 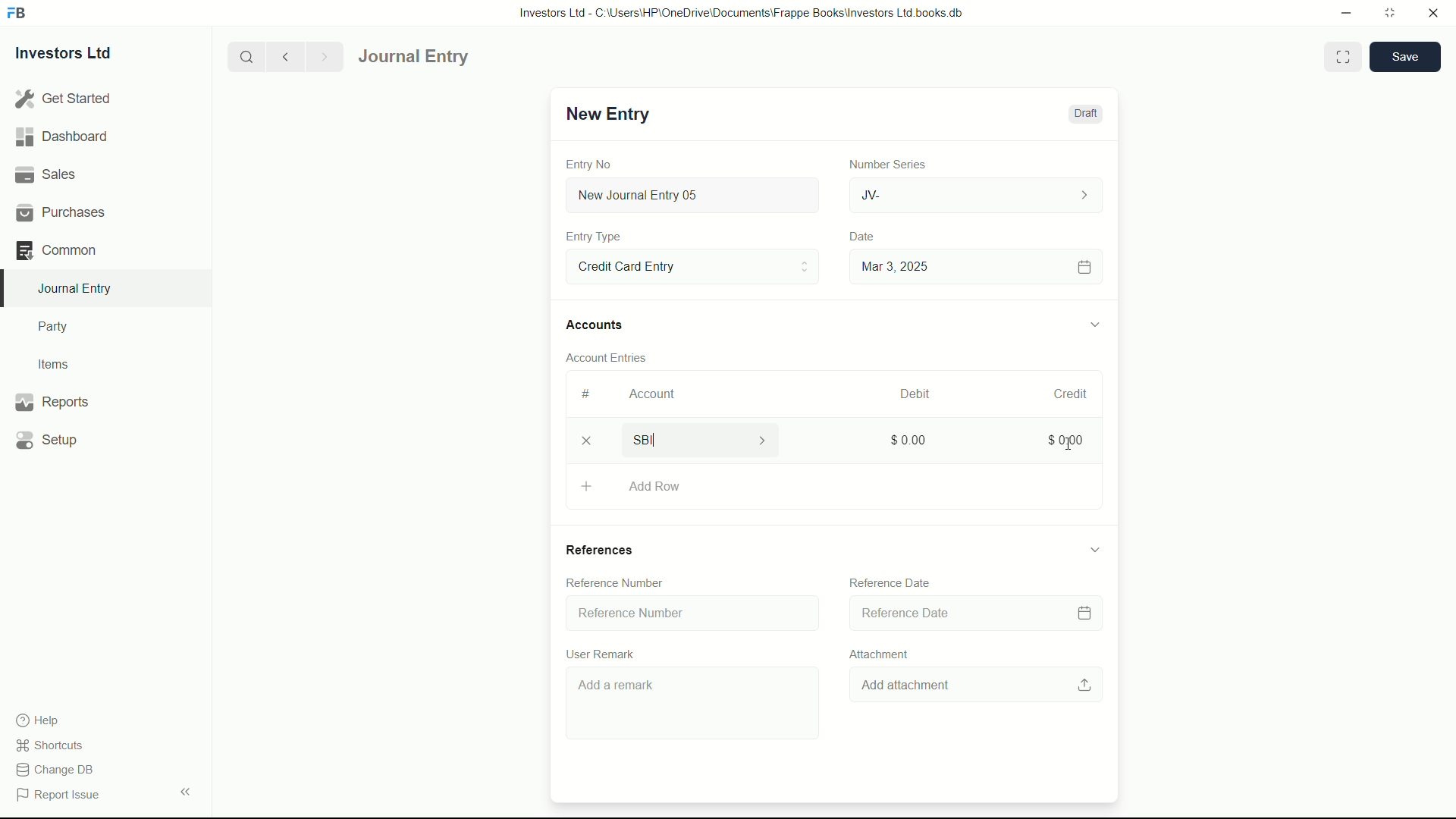 I want to click on Add attachment, so click(x=980, y=684).